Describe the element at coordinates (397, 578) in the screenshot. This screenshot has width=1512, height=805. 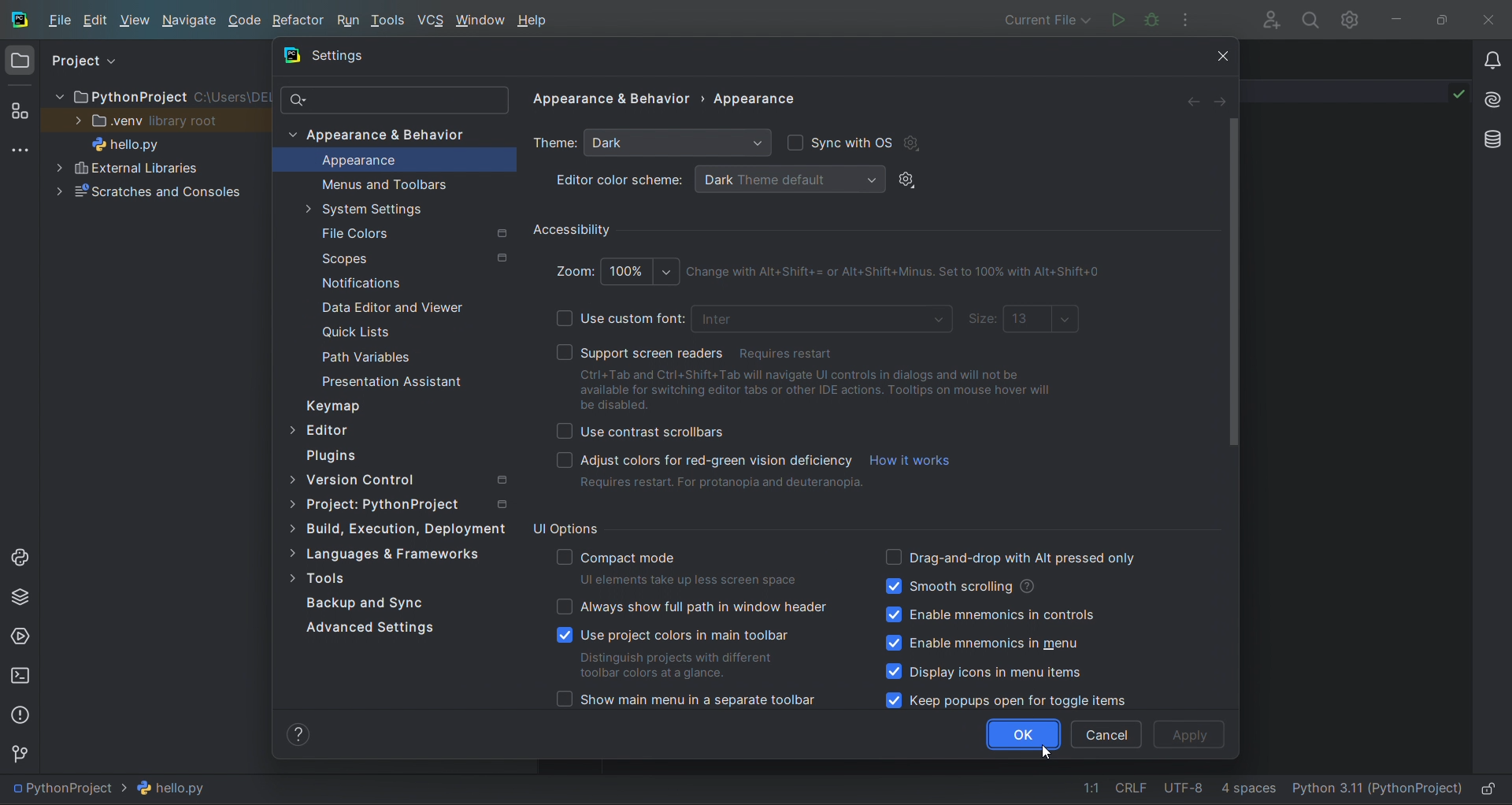
I see `tools` at that location.